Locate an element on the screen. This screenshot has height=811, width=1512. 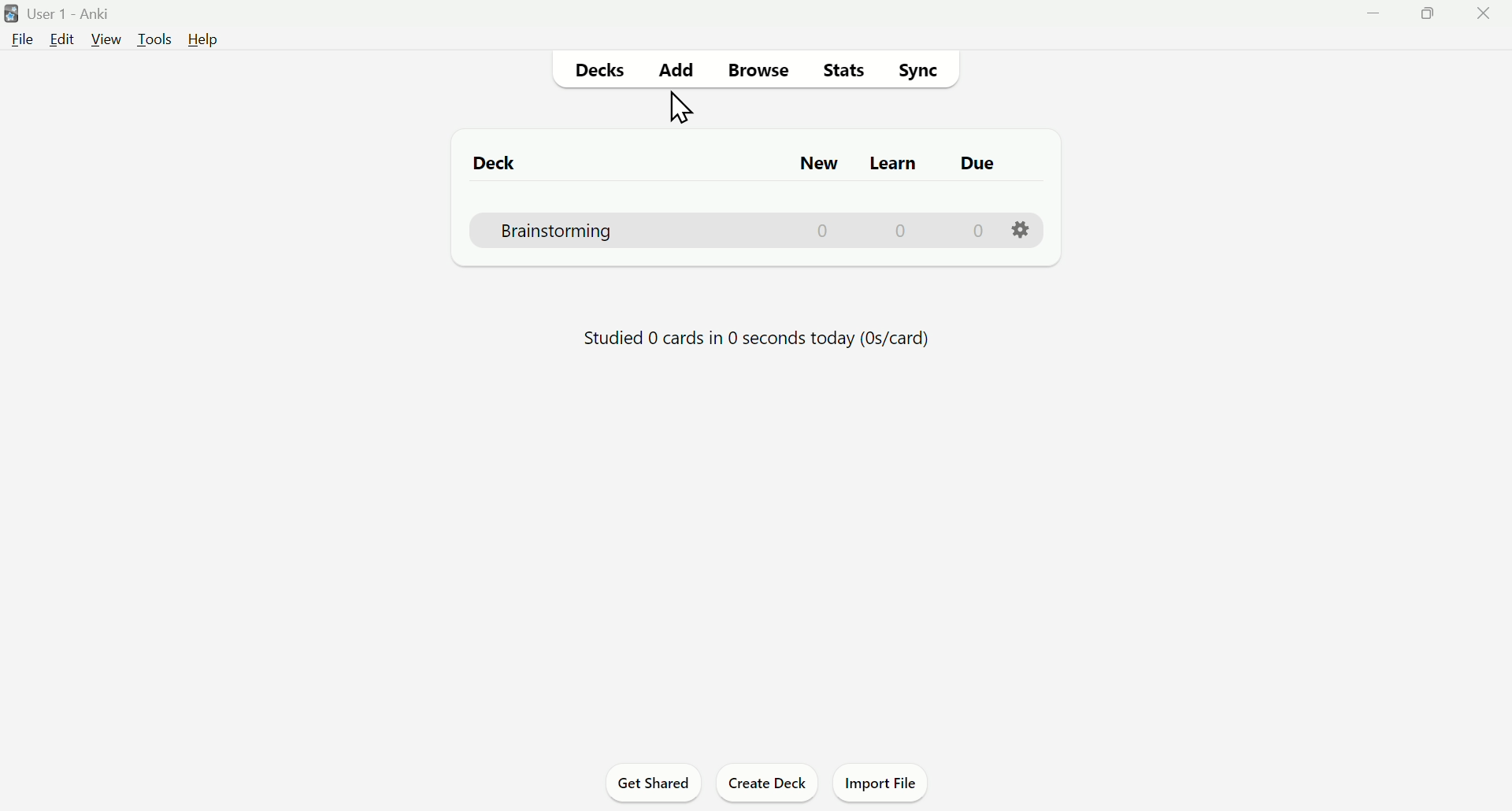
 is located at coordinates (1488, 16).